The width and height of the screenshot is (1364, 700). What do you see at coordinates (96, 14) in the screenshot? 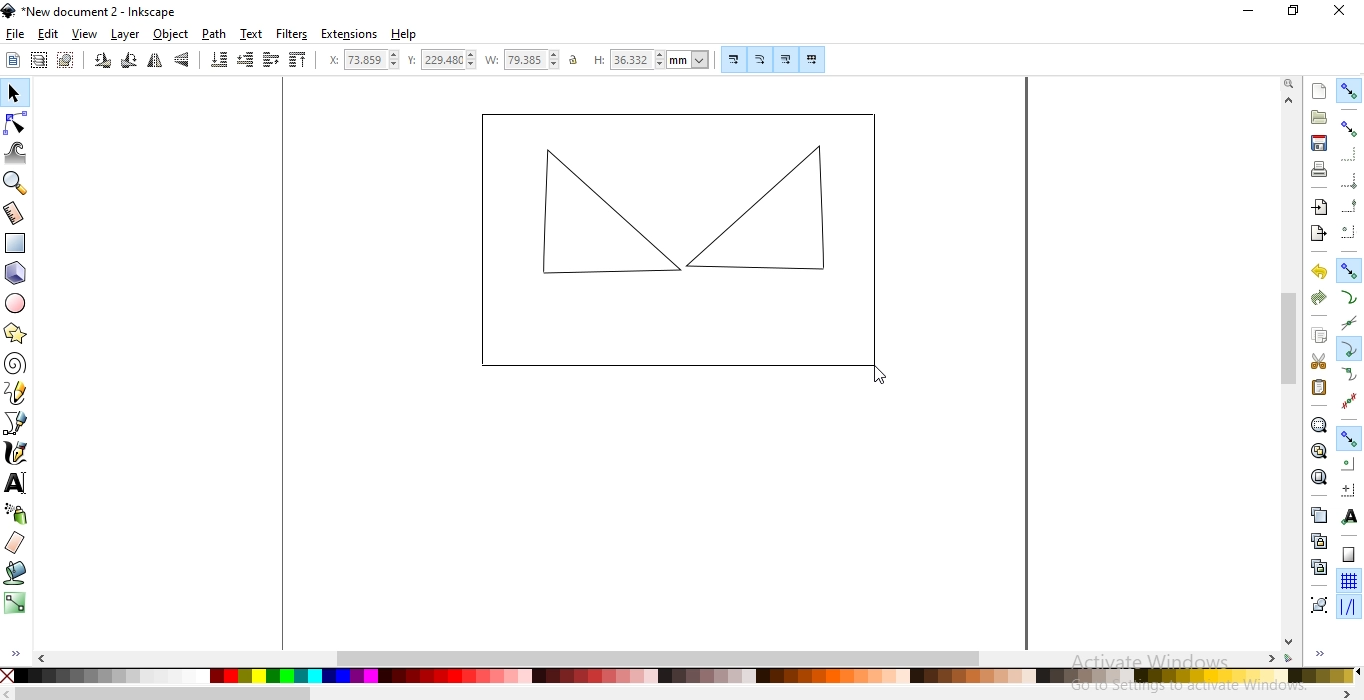
I see `new document 2 - inkscape` at bounding box center [96, 14].